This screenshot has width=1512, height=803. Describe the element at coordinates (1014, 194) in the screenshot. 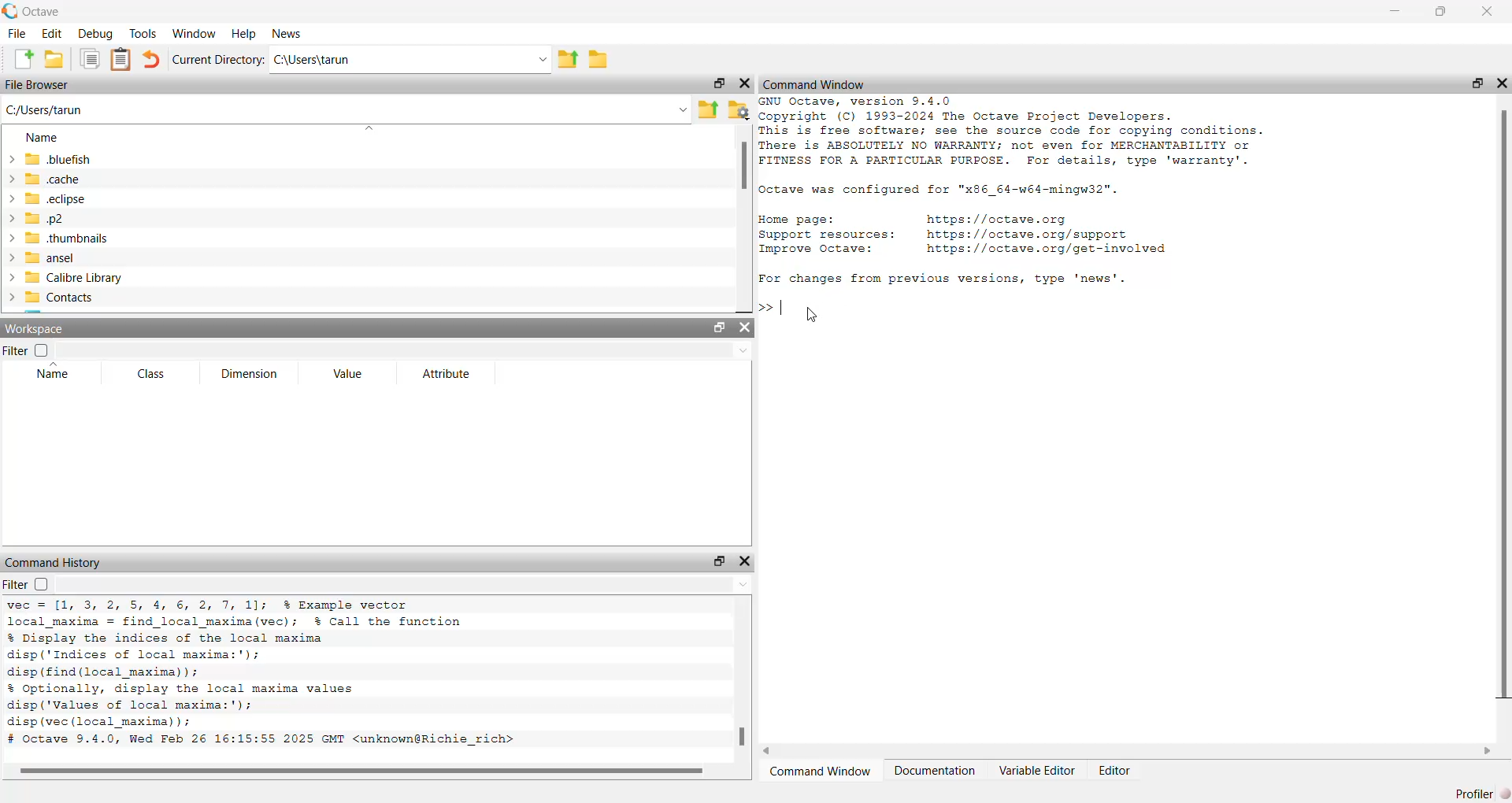

I see `GNU Octave, version 5.4.0

Copyright (C) 1993-2024 The Octave Project Developers.

This is free software; see the source code for copying conditions.
There is ABSOLUTELY NO WARRANTY; not even for MERCHANTABILITY or
FITNESS FOR A PARTICULAR PURPOSE. For details, type 'warranty'.
Octave was configured for "x86_64-w64-mingw32".

Home page: https: //octave.org

Support resources:  https://octave.org/support

Improve Octave: https: //octave.org/get-involved

For changes from previous versions, type 'news'.` at that location.